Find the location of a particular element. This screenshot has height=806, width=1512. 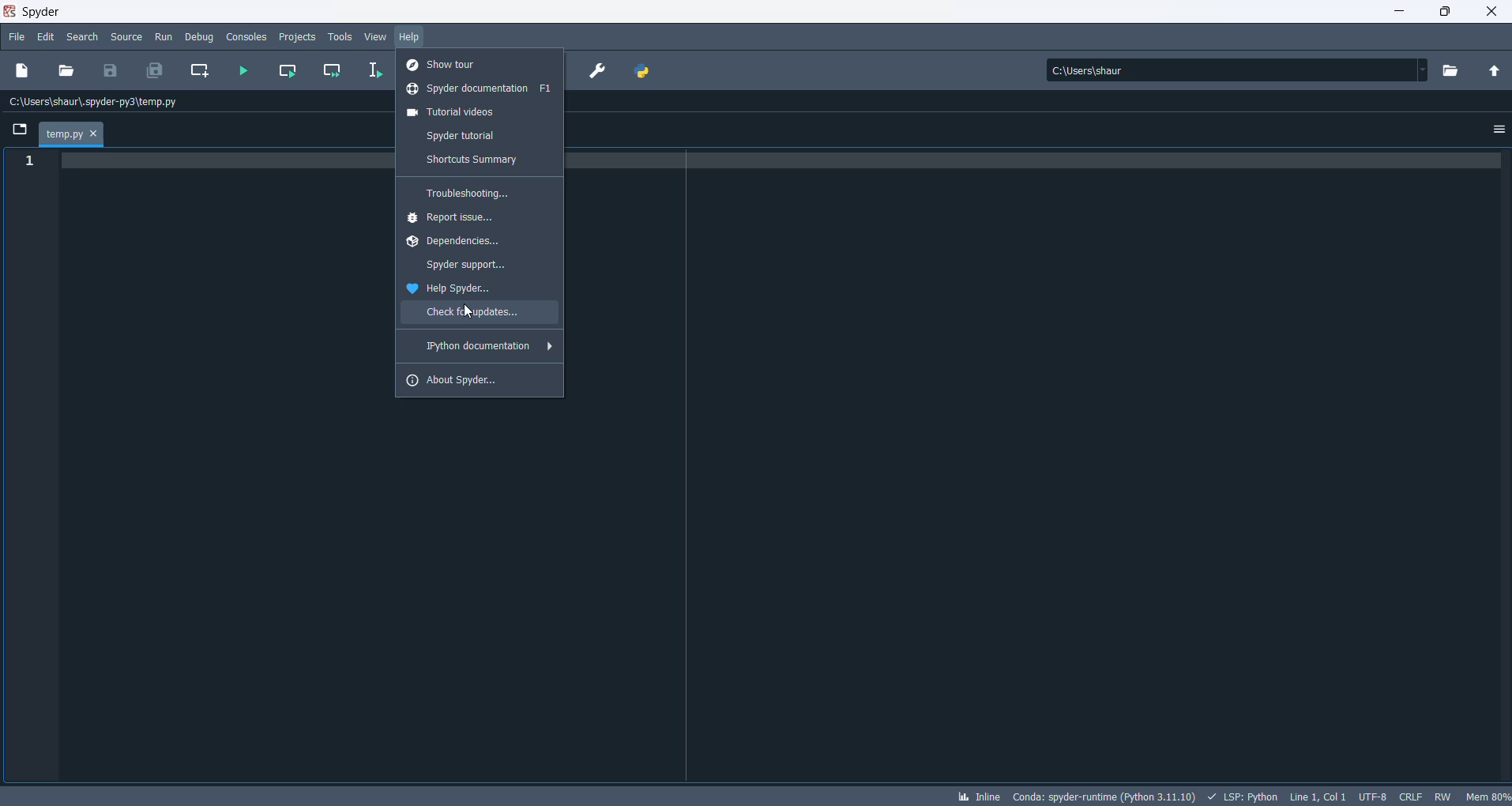

maximize is located at coordinates (1446, 13).